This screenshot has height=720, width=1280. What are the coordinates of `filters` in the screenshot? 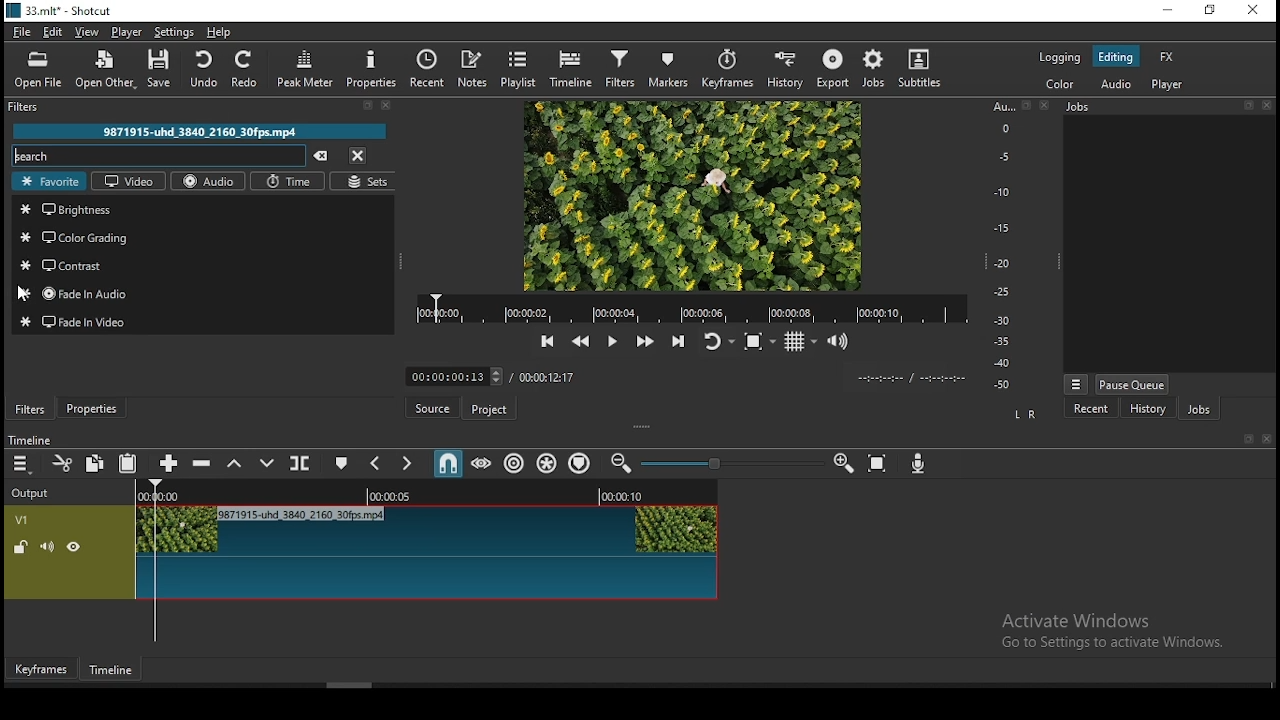 It's located at (627, 69).